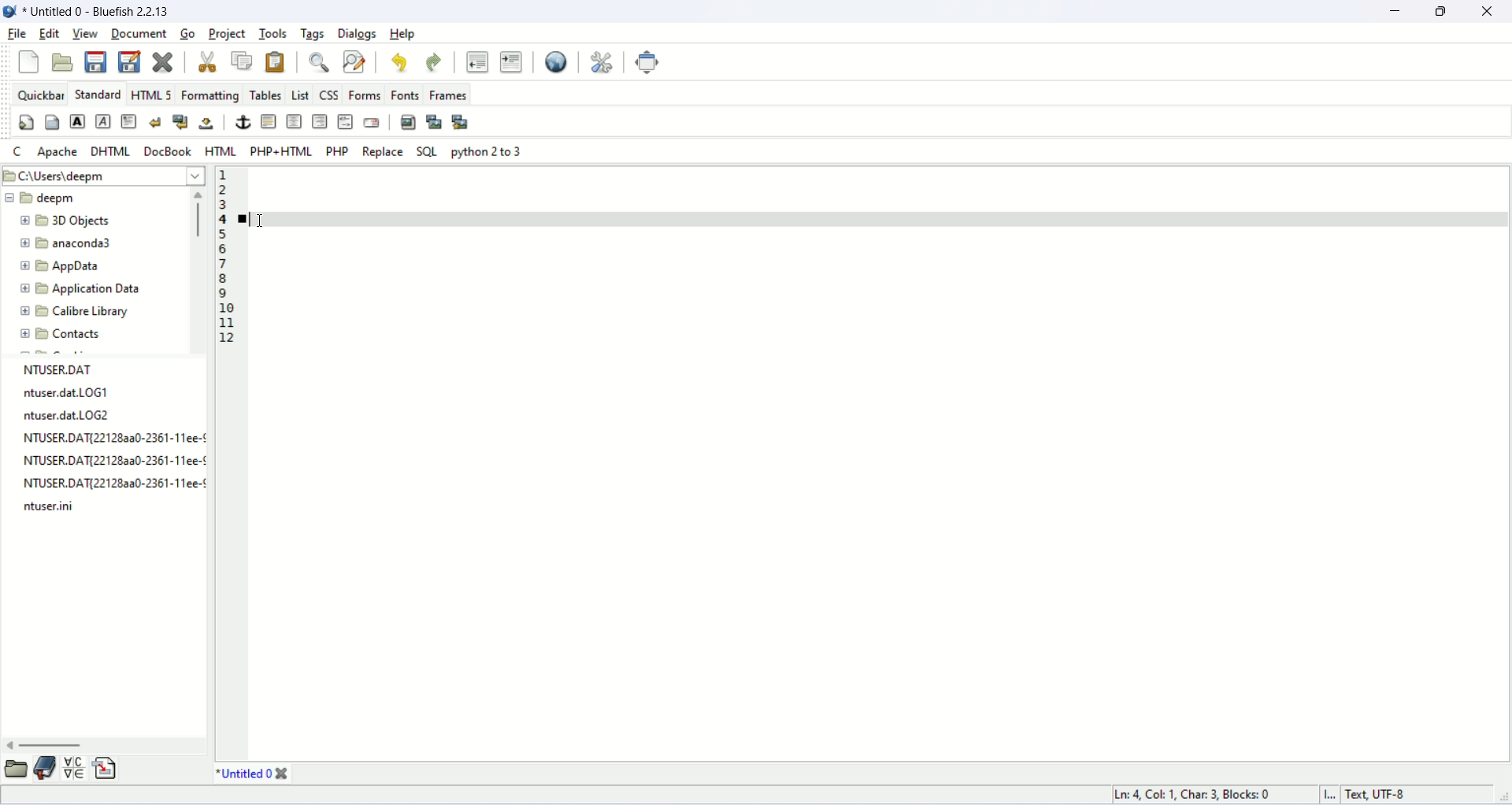 The image size is (1512, 805). What do you see at coordinates (434, 63) in the screenshot?
I see `redo` at bounding box center [434, 63].